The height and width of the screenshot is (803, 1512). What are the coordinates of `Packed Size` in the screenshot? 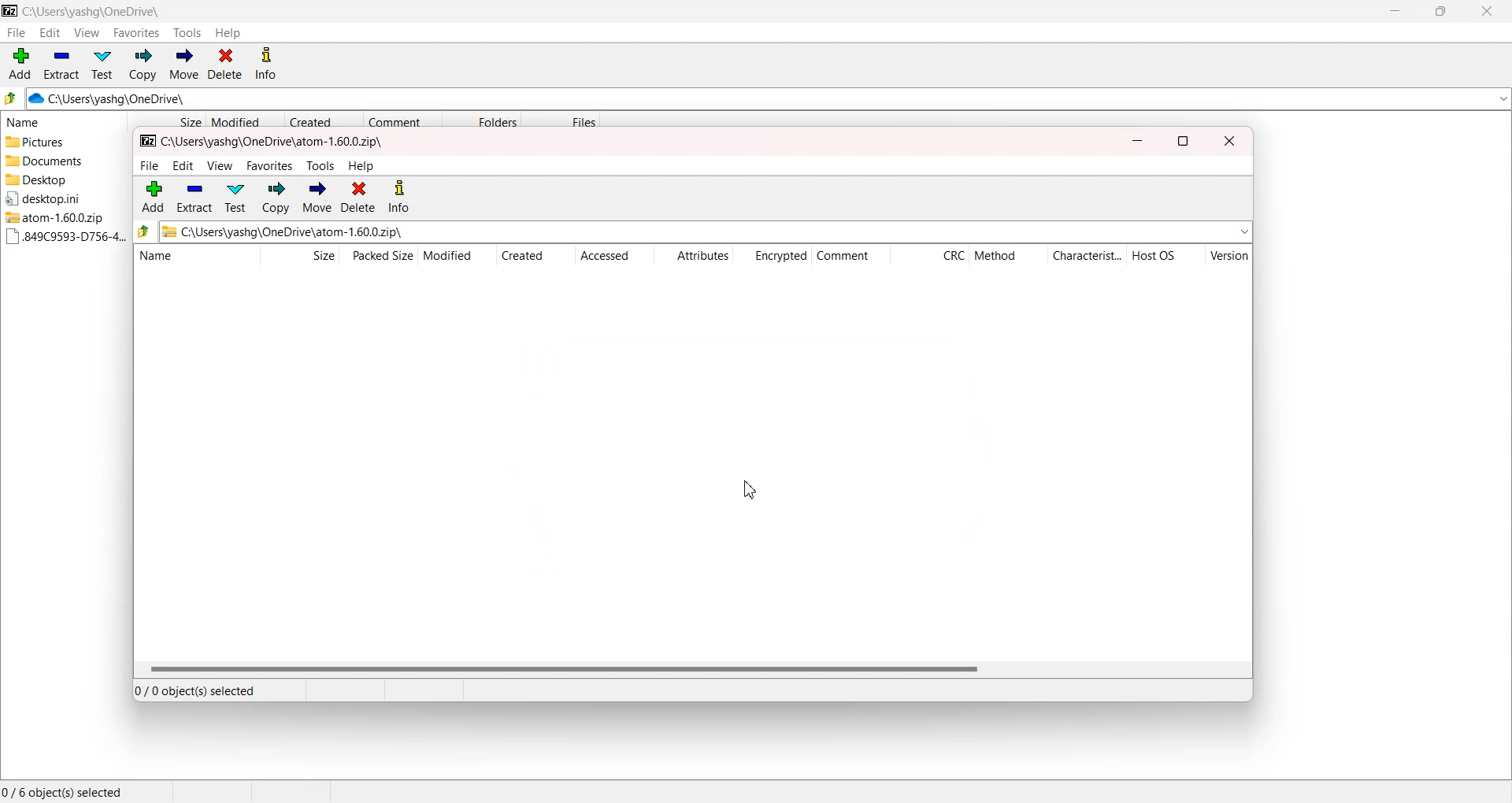 It's located at (378, 255).